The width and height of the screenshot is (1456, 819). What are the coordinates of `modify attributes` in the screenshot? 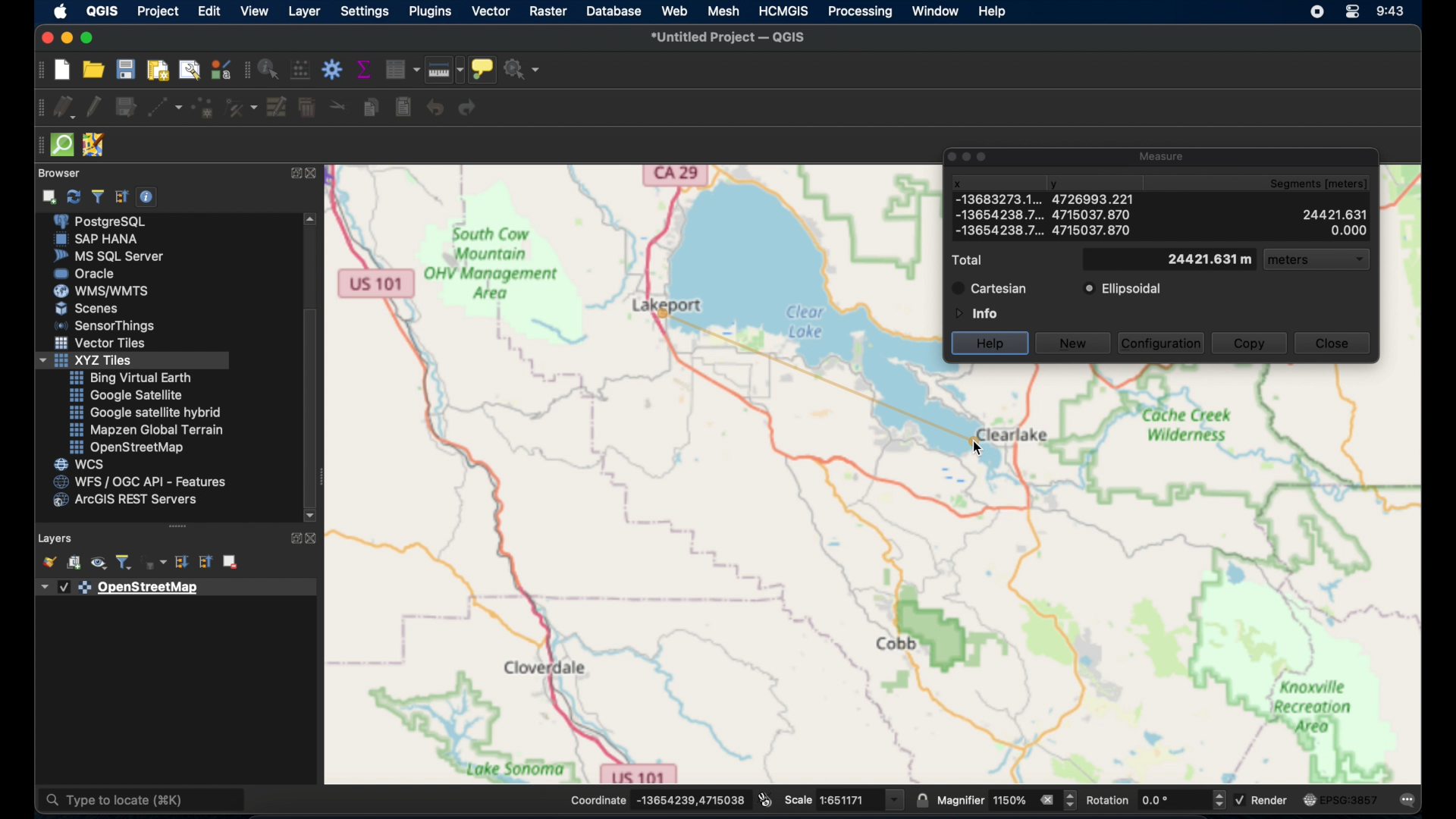 It's located at (277, 108).